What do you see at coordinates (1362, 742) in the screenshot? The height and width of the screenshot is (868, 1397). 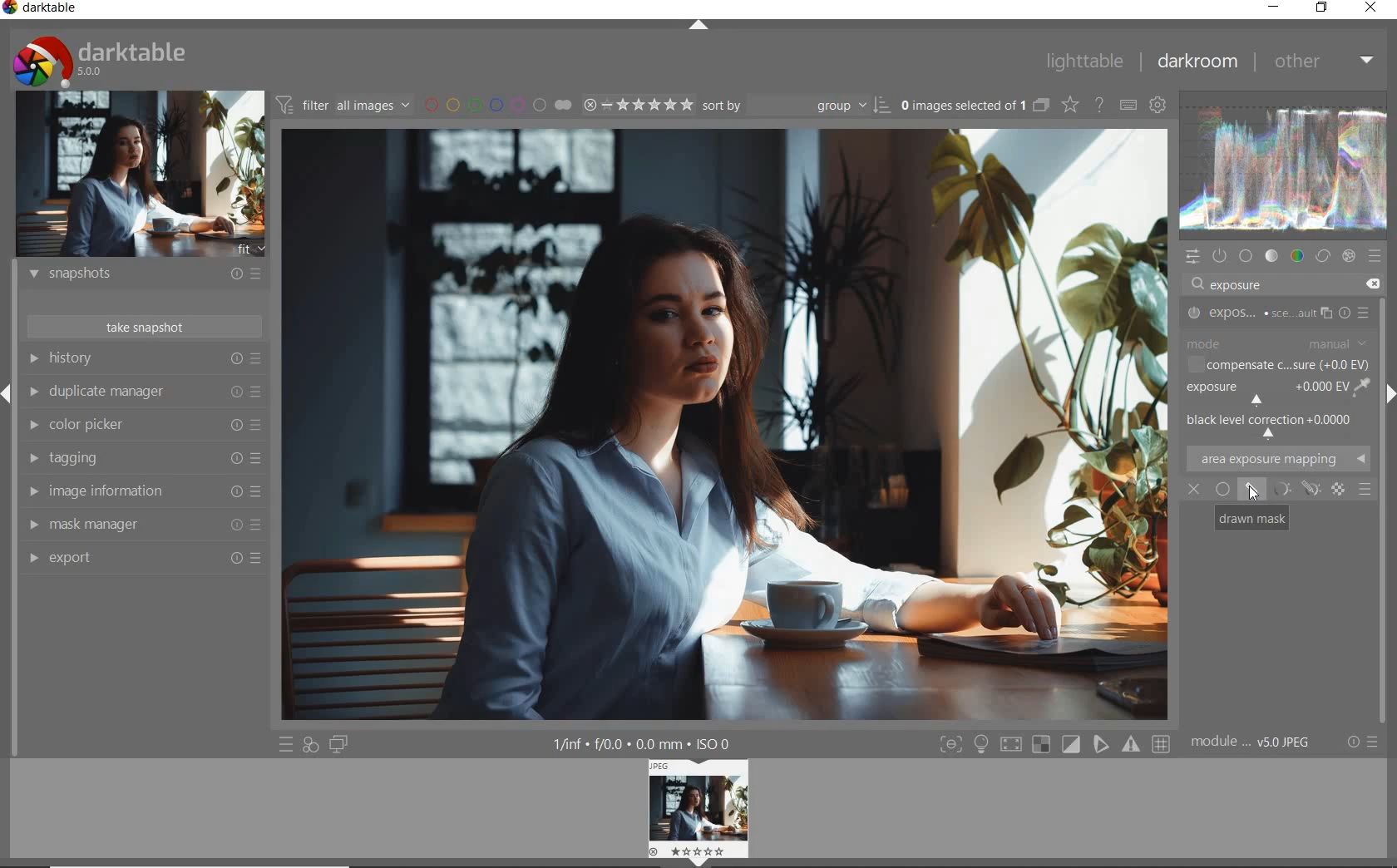 I see `reset or presets & preferences` at bounding box center [1362, 742].